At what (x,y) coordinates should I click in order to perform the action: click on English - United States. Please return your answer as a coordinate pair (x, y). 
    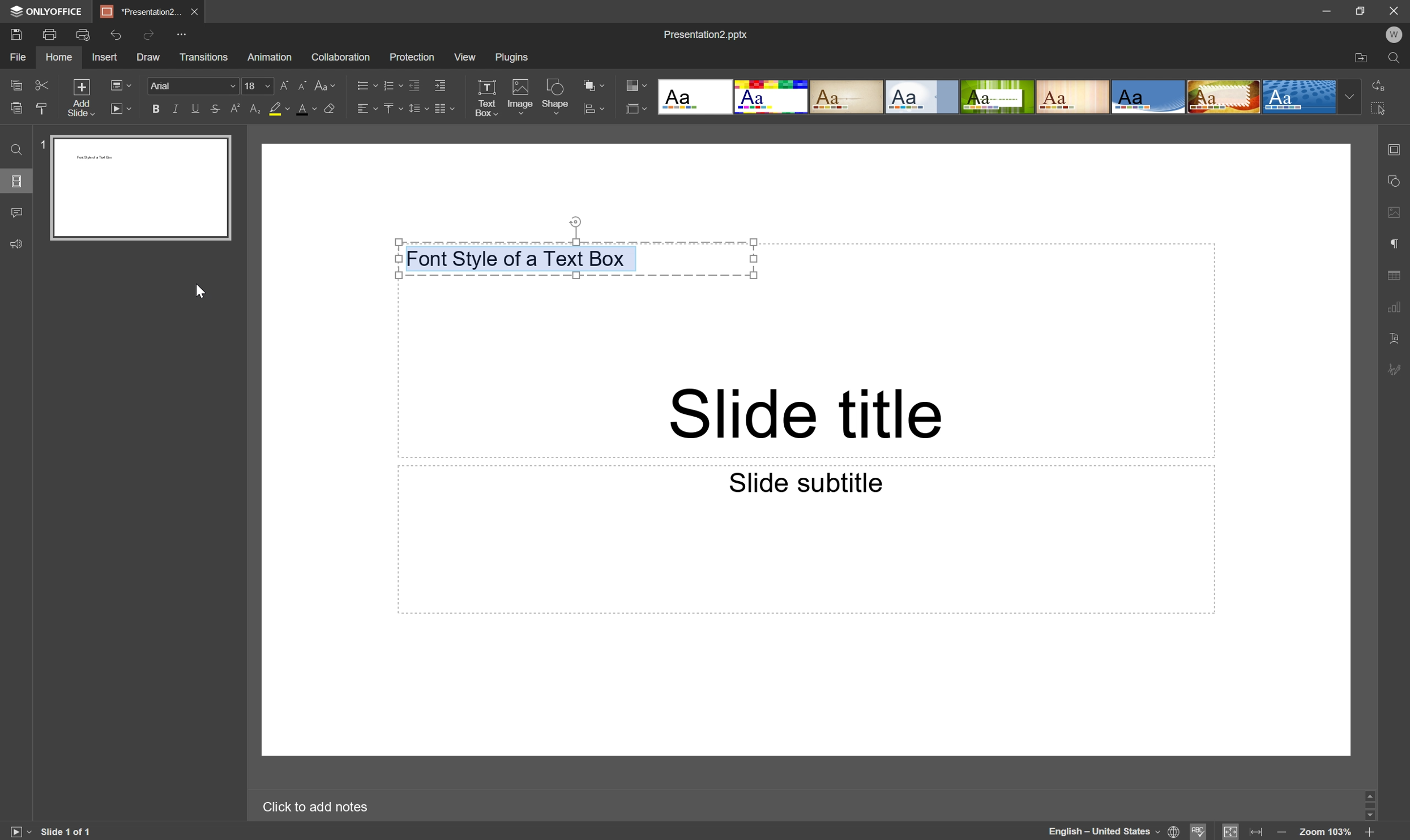
    Looking at the image, I should click on (1097, 832).